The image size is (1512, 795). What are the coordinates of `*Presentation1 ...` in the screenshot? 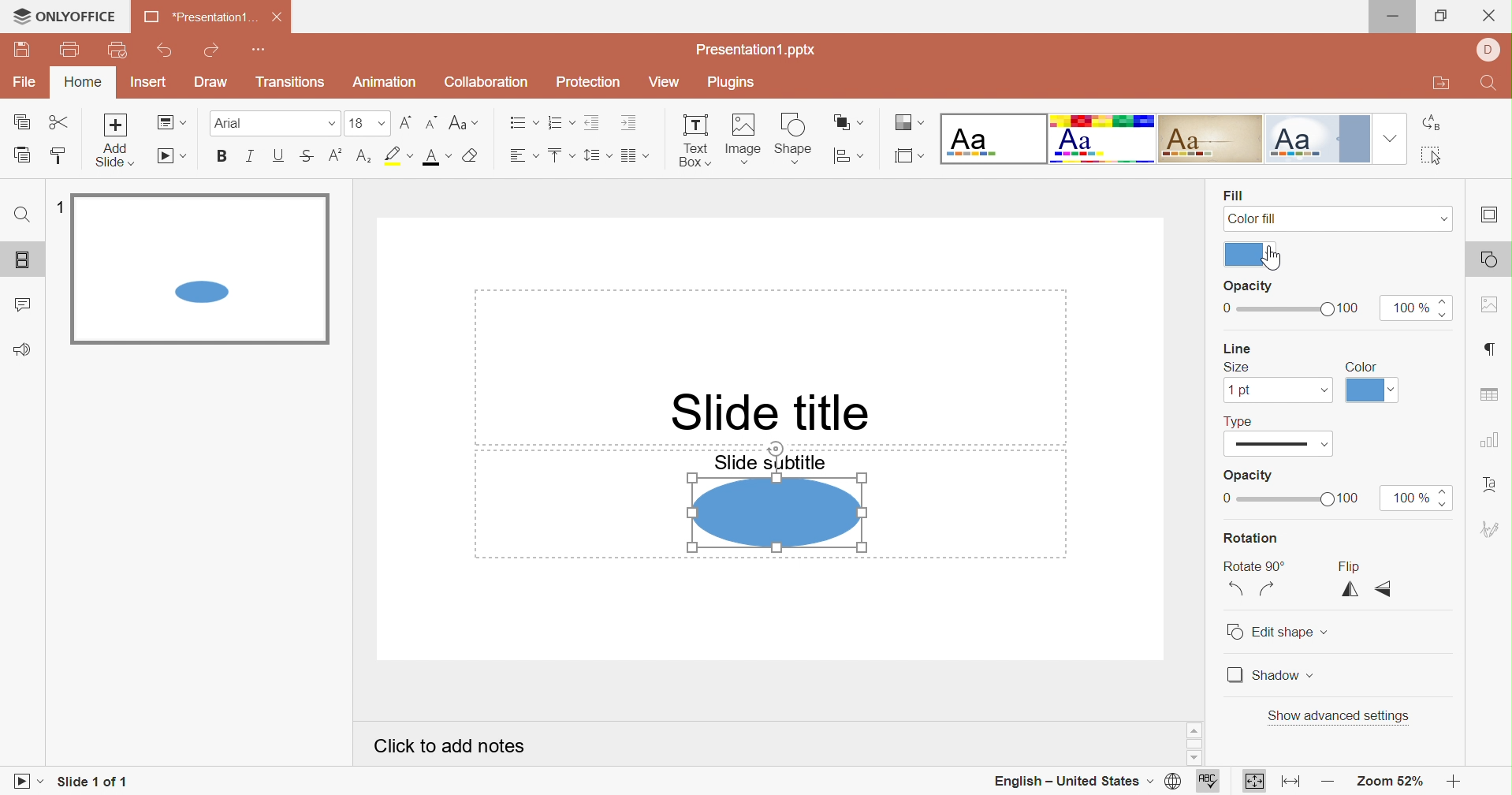 It's located at (199, 17).